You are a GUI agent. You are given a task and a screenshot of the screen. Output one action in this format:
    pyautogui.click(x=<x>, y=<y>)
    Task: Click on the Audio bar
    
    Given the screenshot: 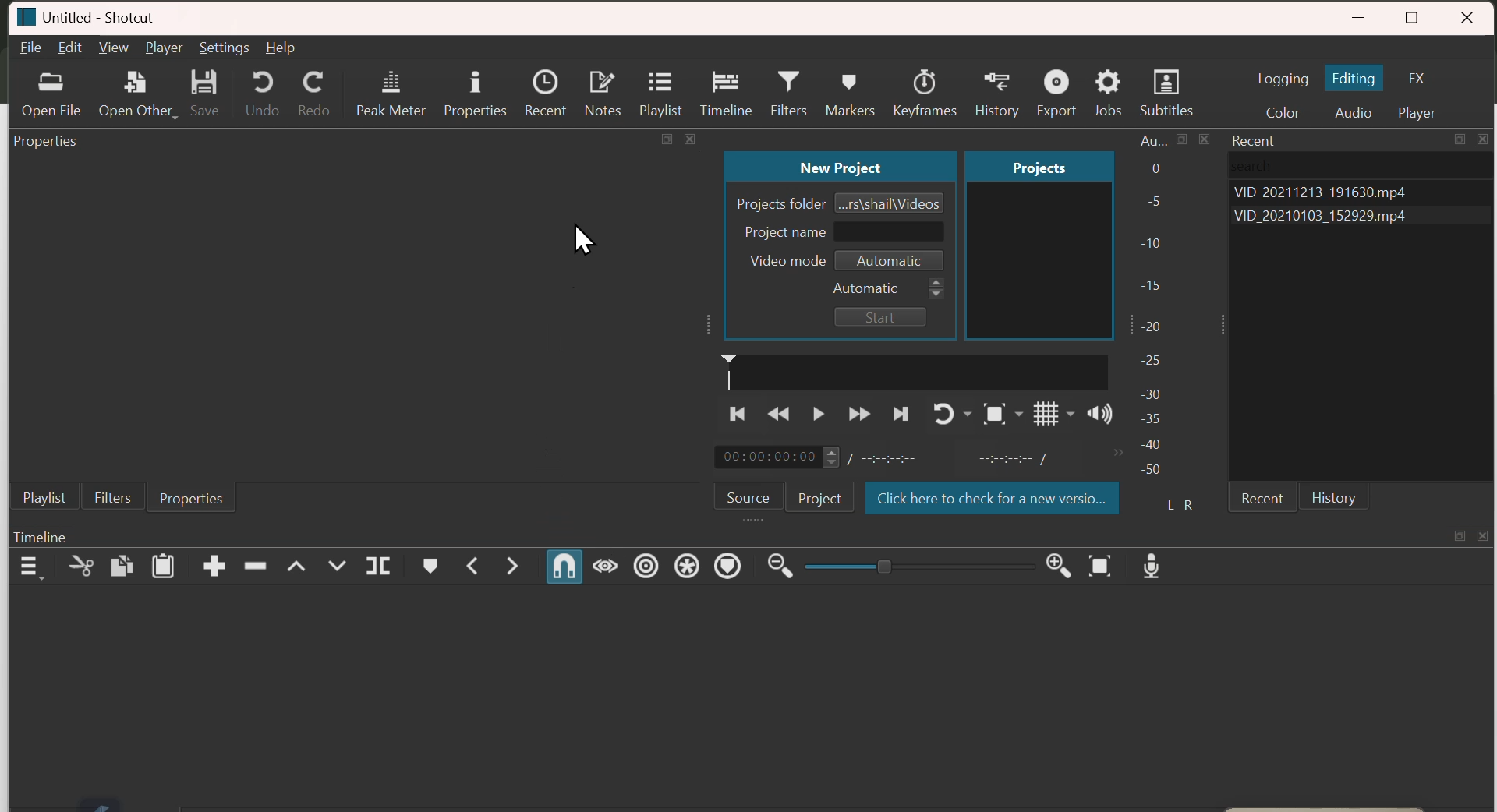 What is the action you would take?
    pyautogui.click(x=1169, y=337)
    